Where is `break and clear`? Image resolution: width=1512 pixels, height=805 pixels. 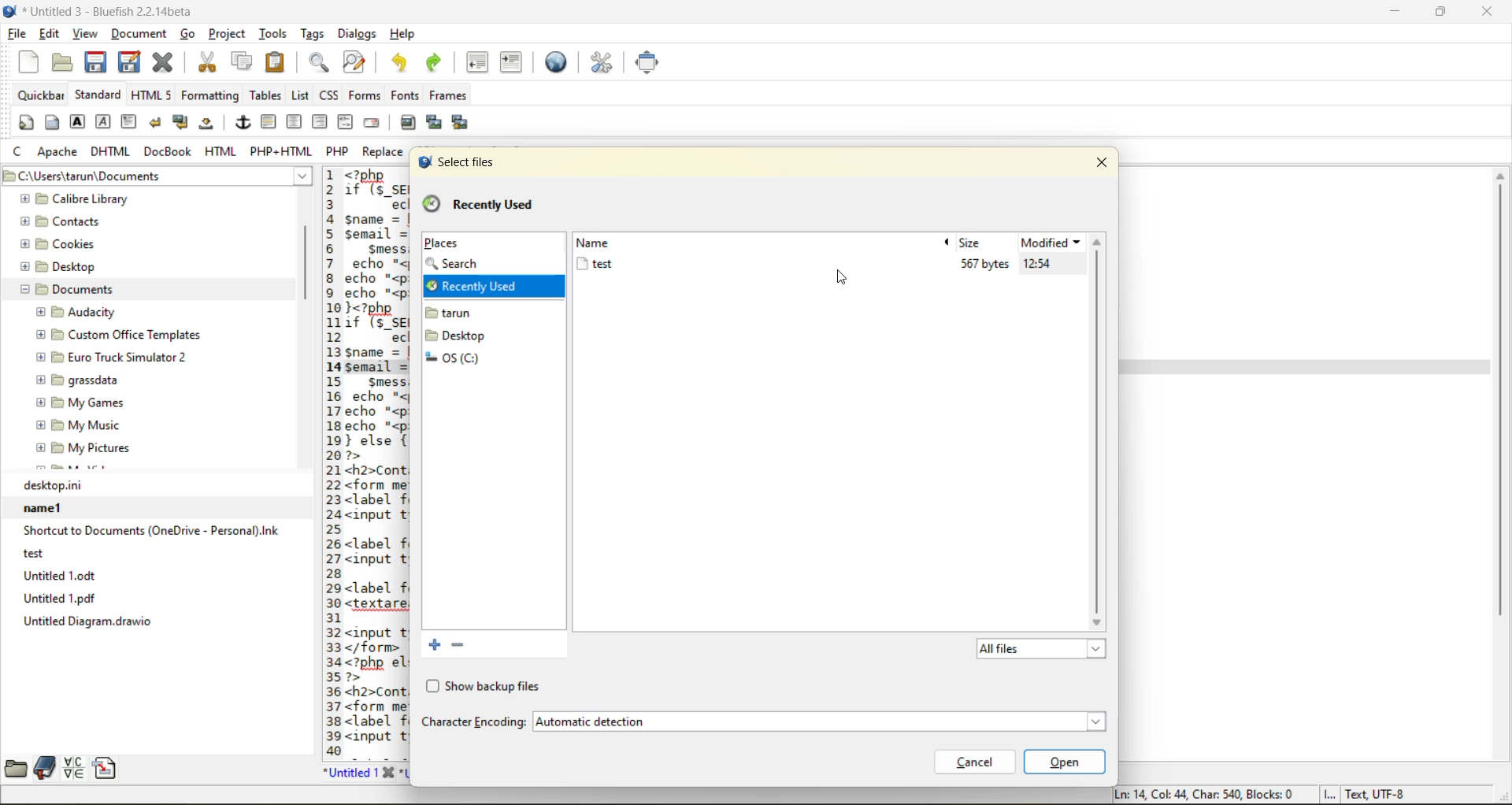
break and clear is located at coordinates (182, 124).